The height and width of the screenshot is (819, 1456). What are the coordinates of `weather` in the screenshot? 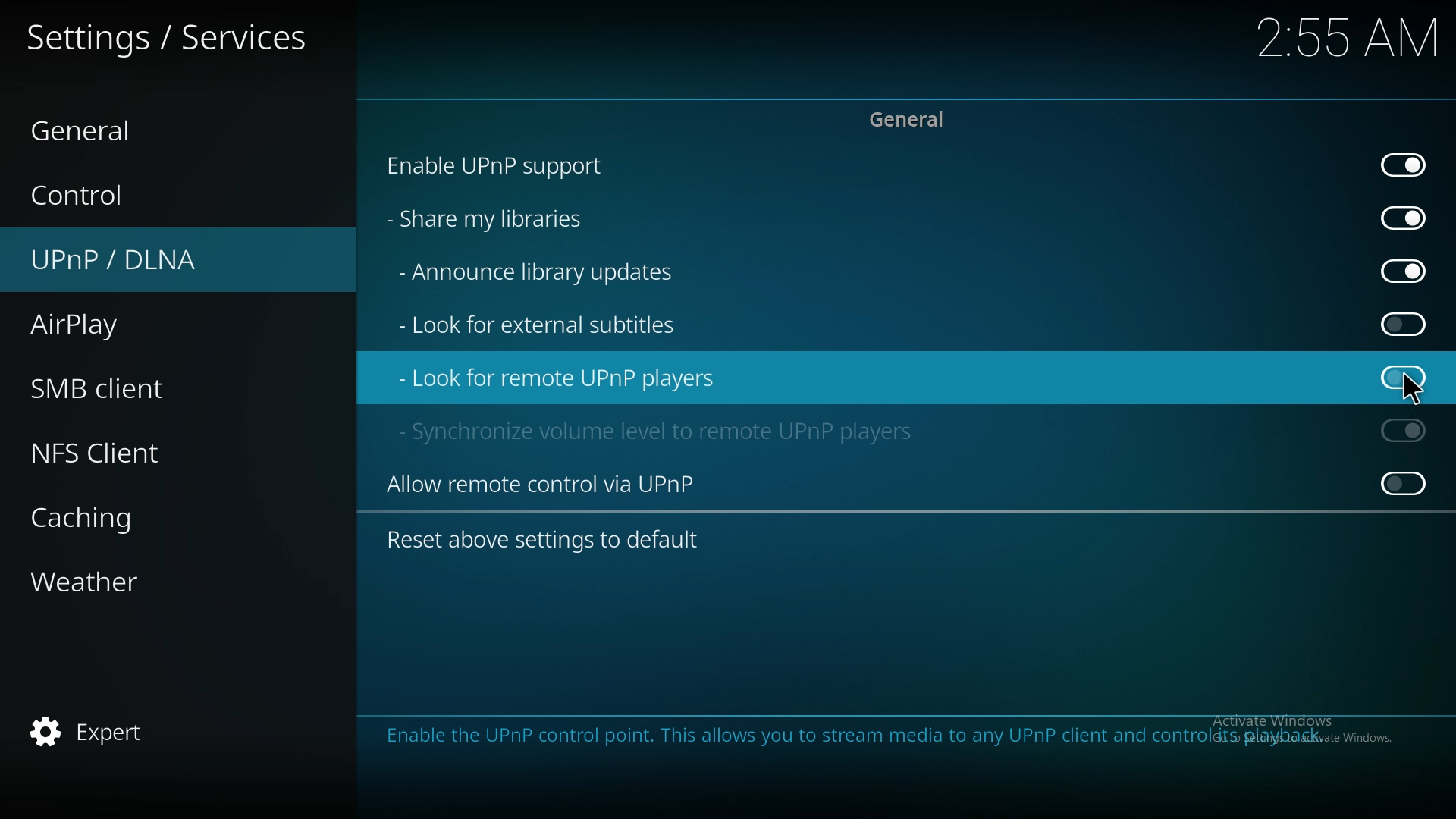 It's located at (110, 580).